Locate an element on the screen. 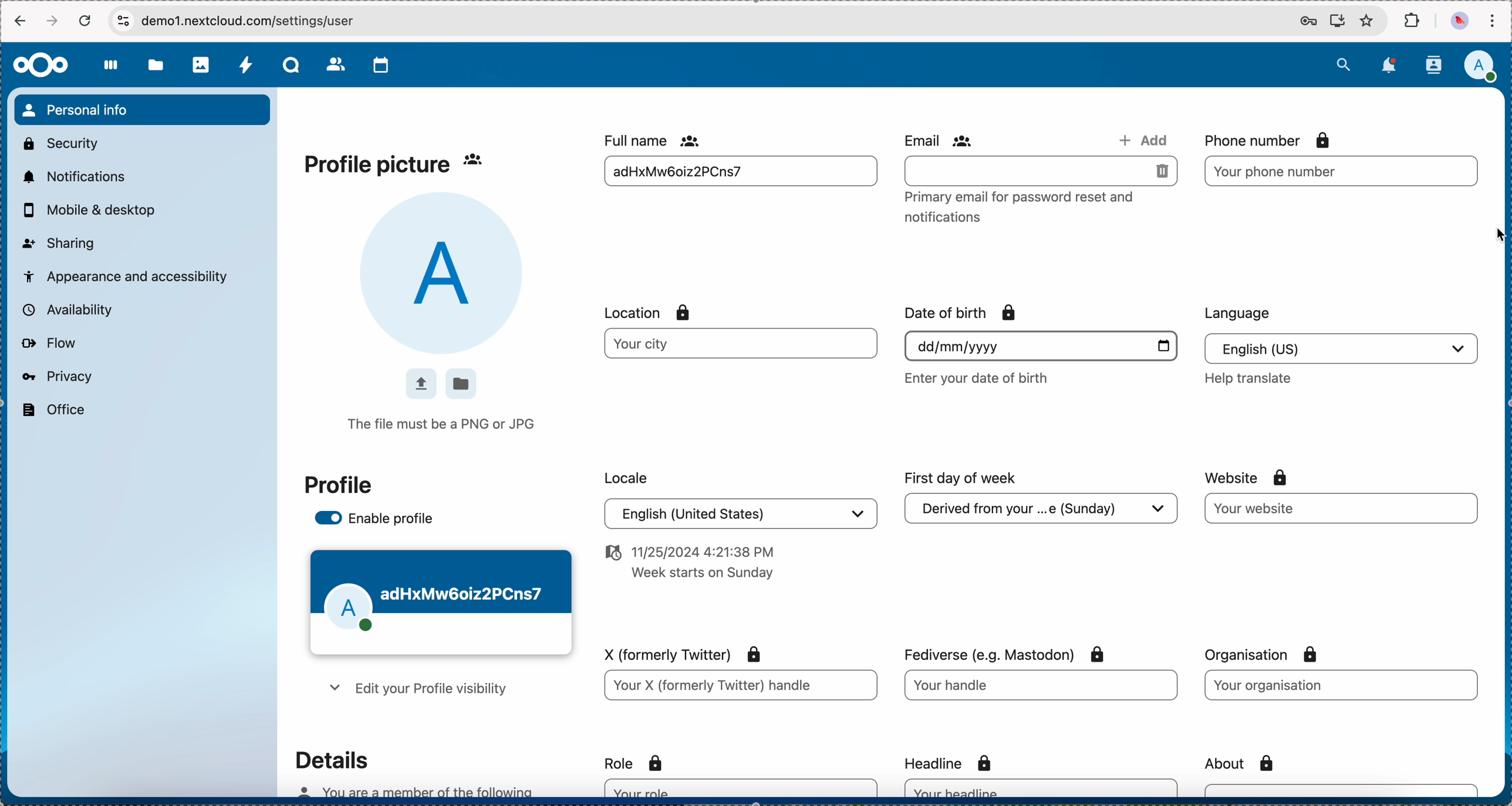  language is located at coordinates (741, 513).